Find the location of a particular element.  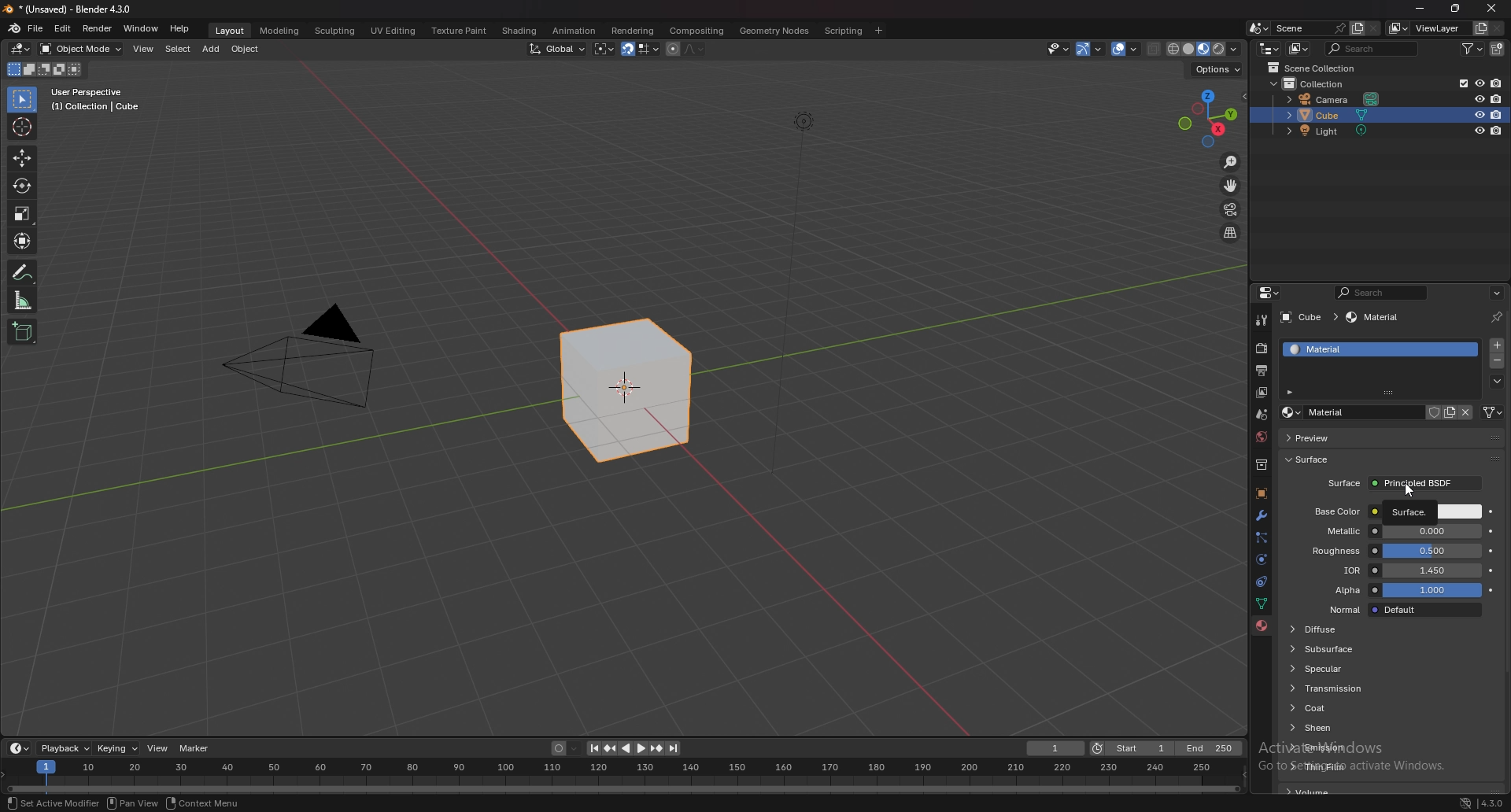

ior is located at coordinates (1400, 570).